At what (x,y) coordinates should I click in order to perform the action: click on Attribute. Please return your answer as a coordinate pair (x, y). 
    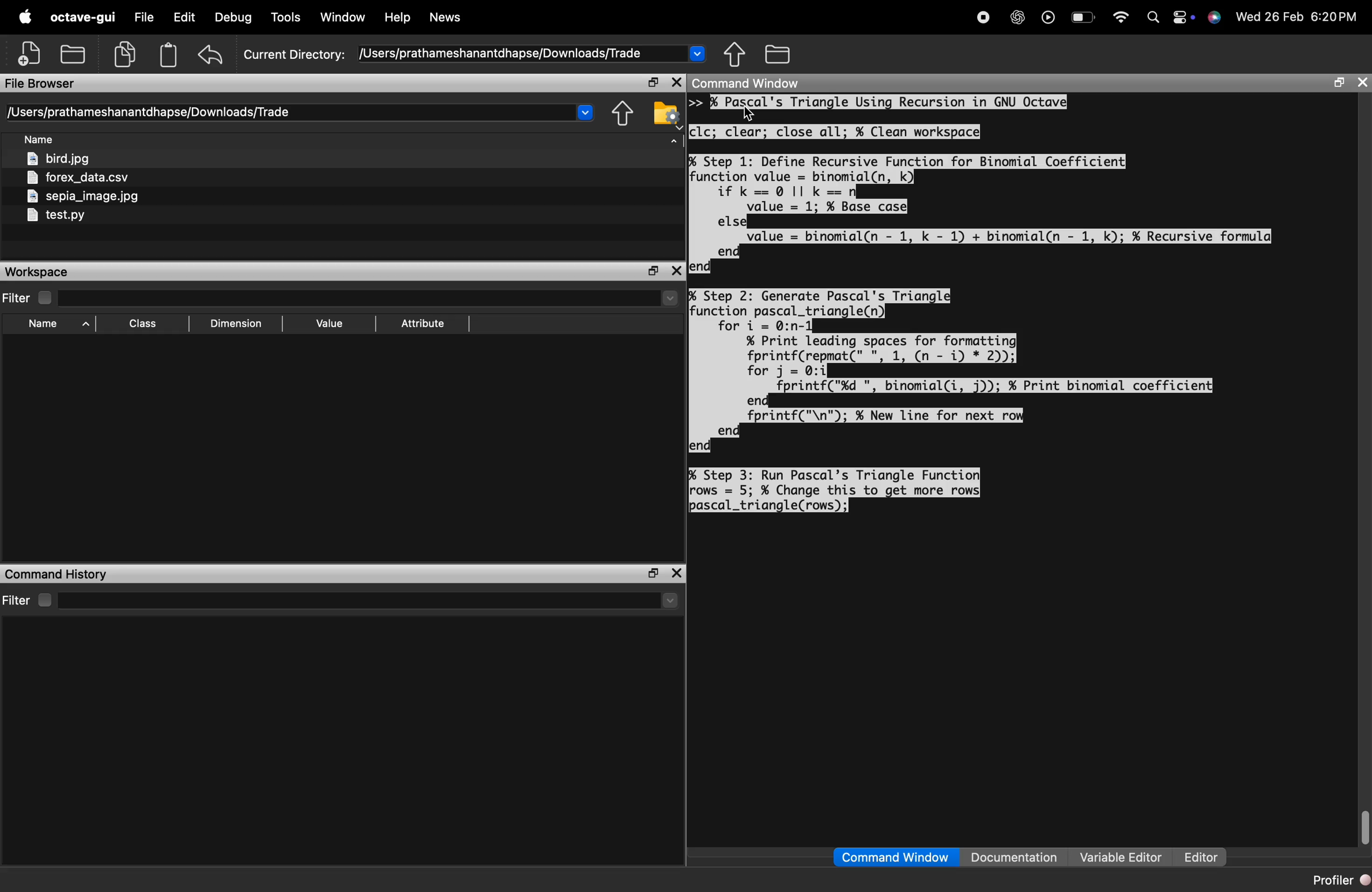
    Looking at the image, I should click on (424, 324).